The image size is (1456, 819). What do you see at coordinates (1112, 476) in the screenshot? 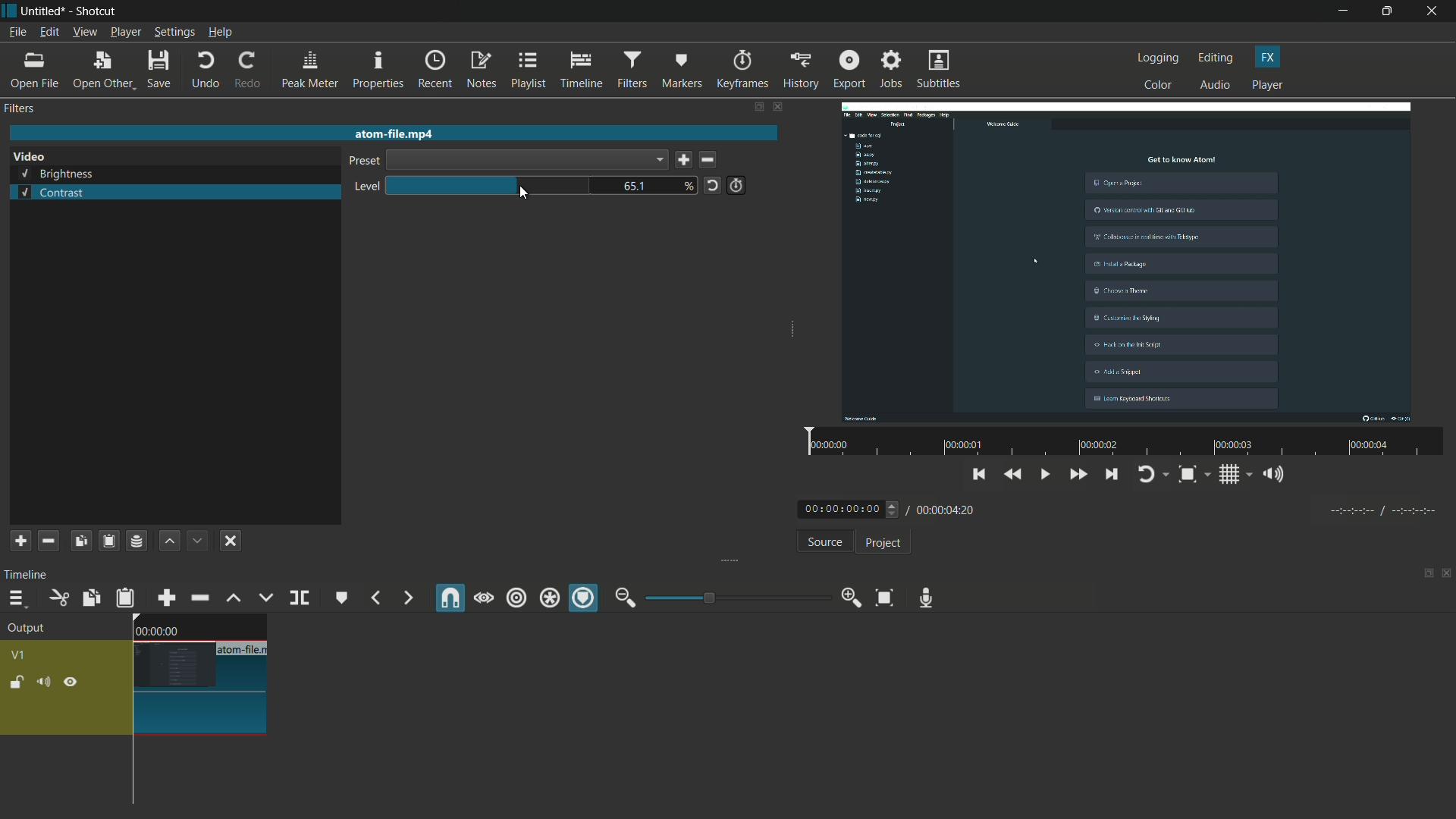
I see `skip to the next point` at bounding box center [1112, 476].